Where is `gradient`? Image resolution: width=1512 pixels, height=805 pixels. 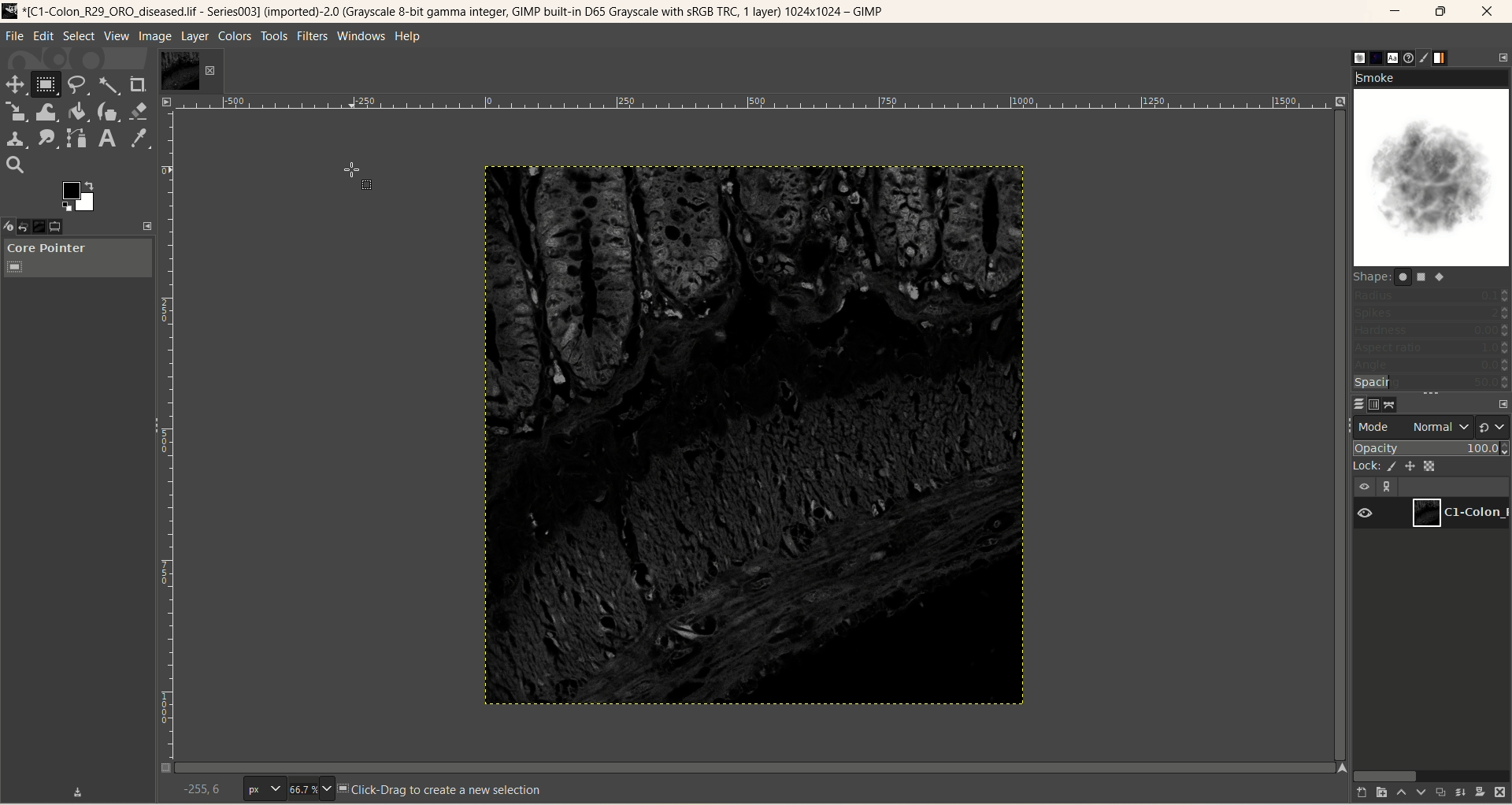 gradient is located at coordinates (1441, 58).